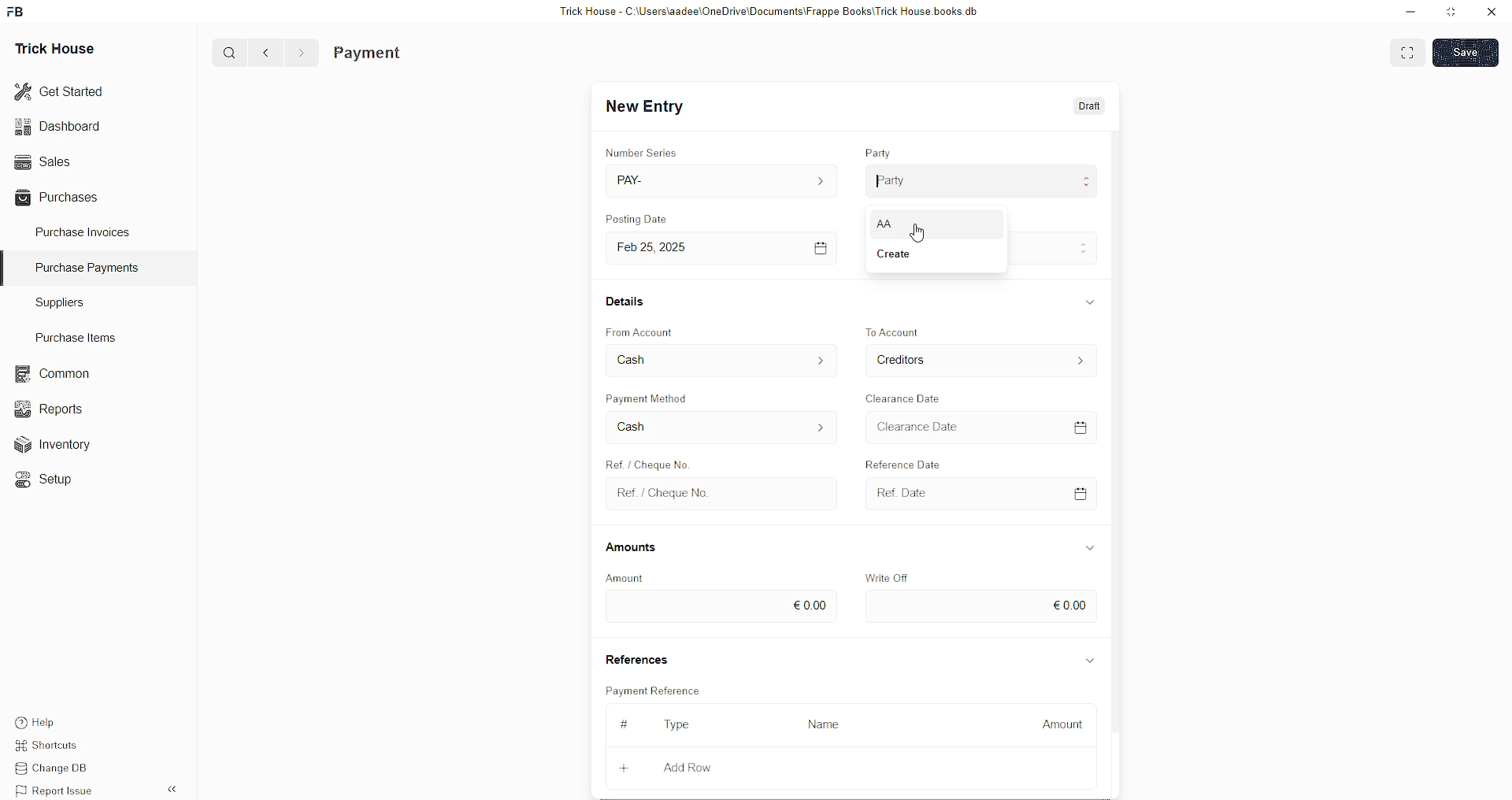 The image size is (1512, 800). I want to click on AA , so click(896, 224).